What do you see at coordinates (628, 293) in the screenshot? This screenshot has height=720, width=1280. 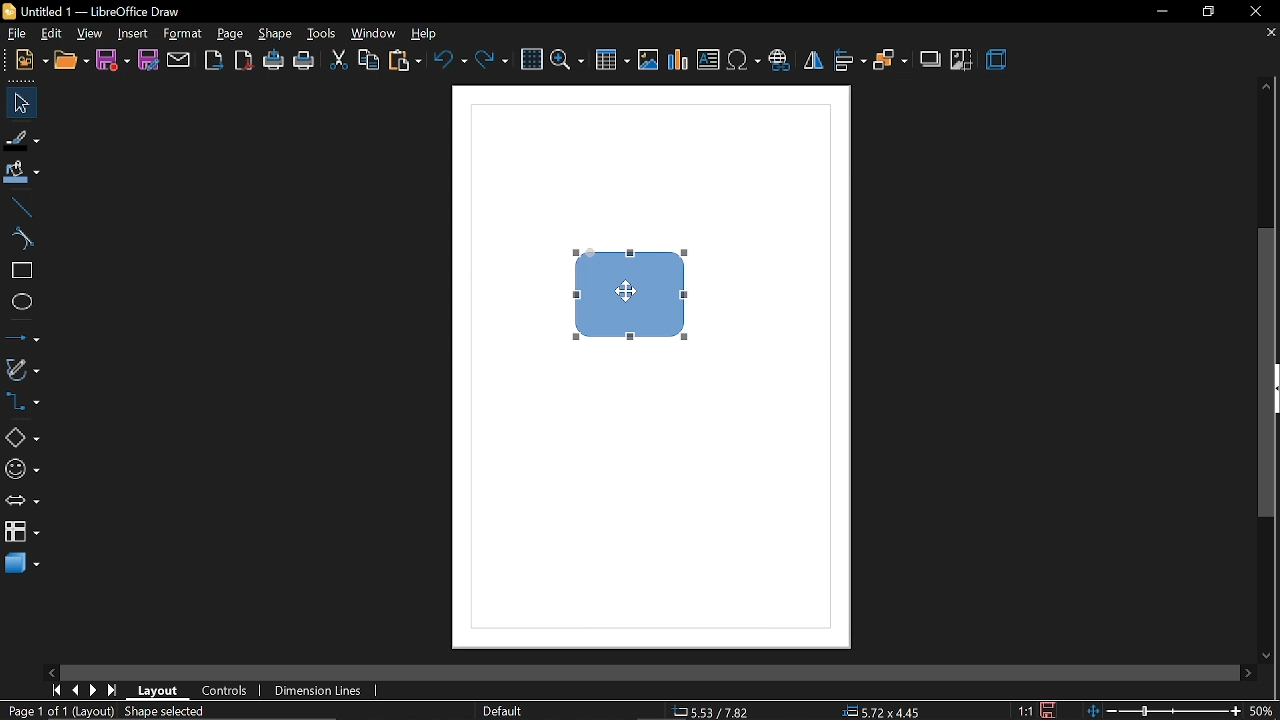 I see `Current Diagram` at bounding box center [628, 293].